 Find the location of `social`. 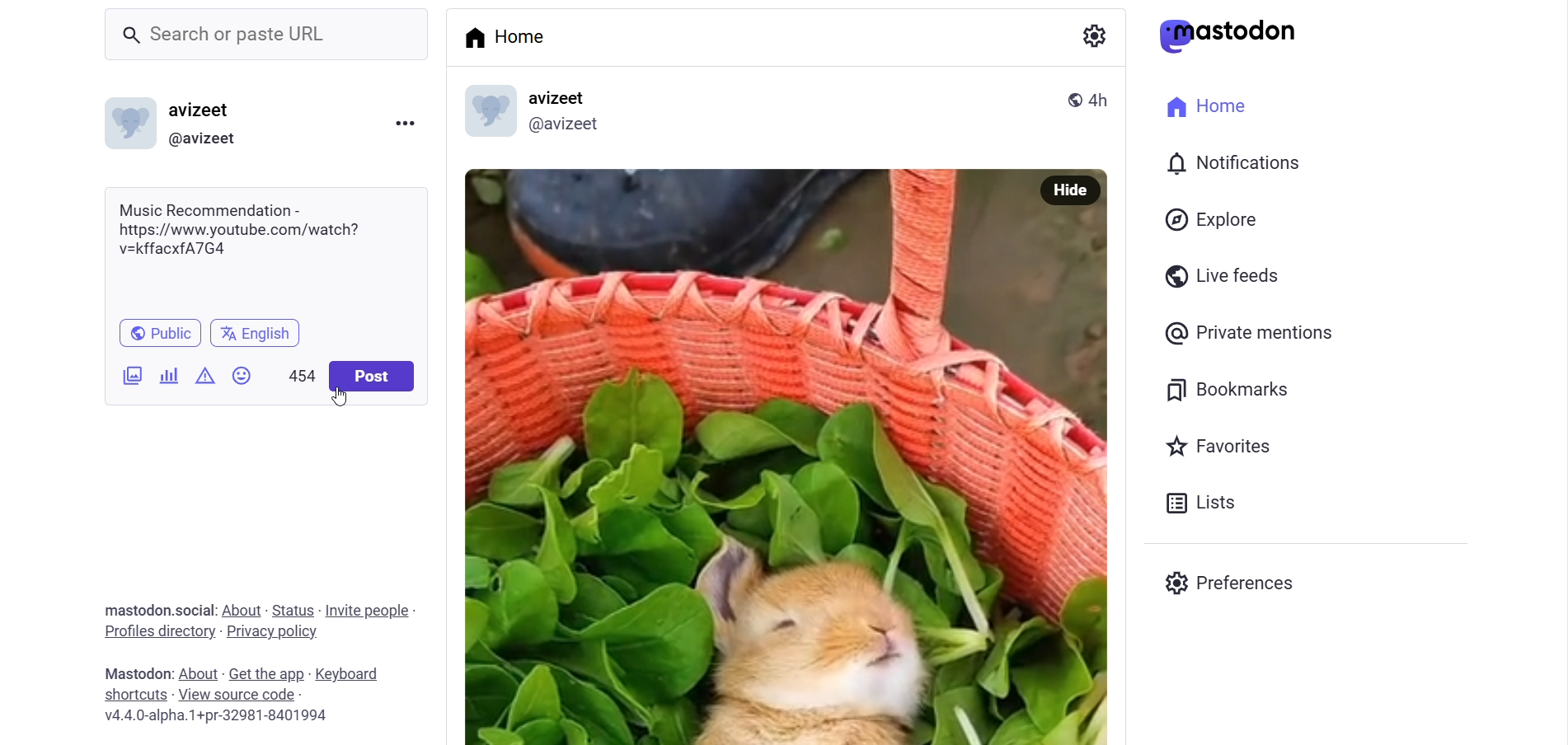

social is located at coordinates (195, 609).